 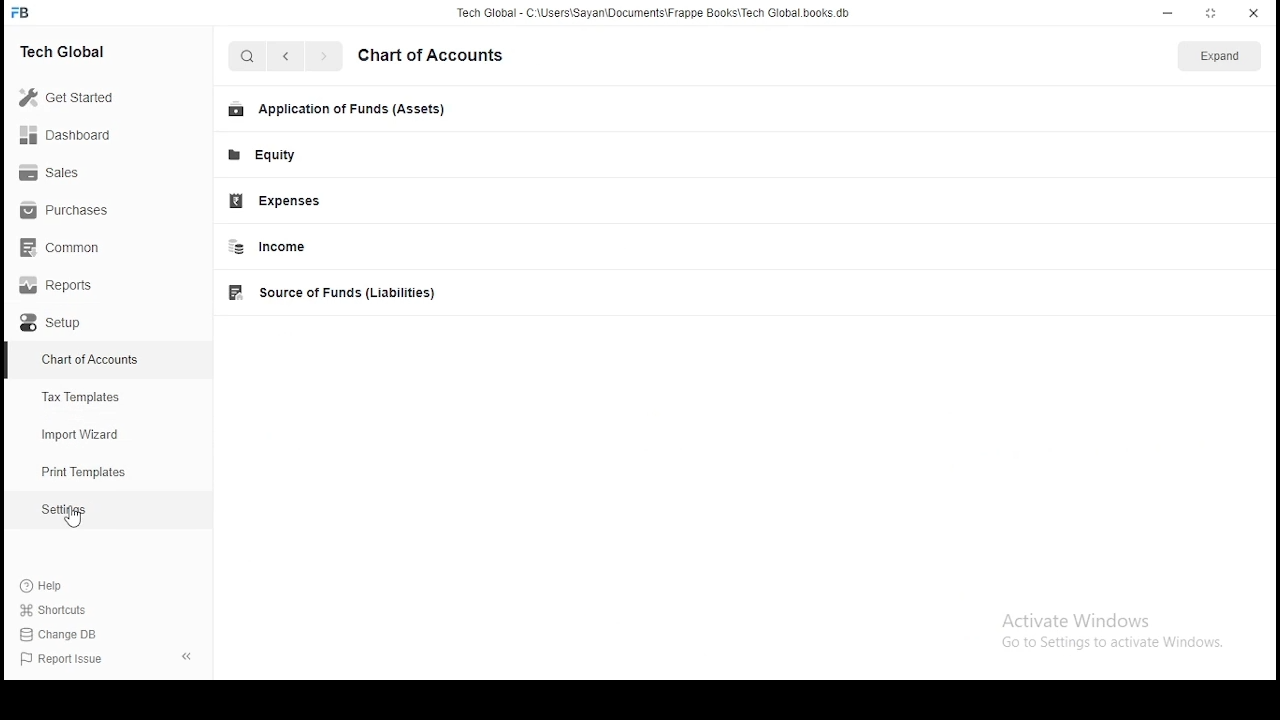 I want to click on expand , so click(x=1226, y=59).